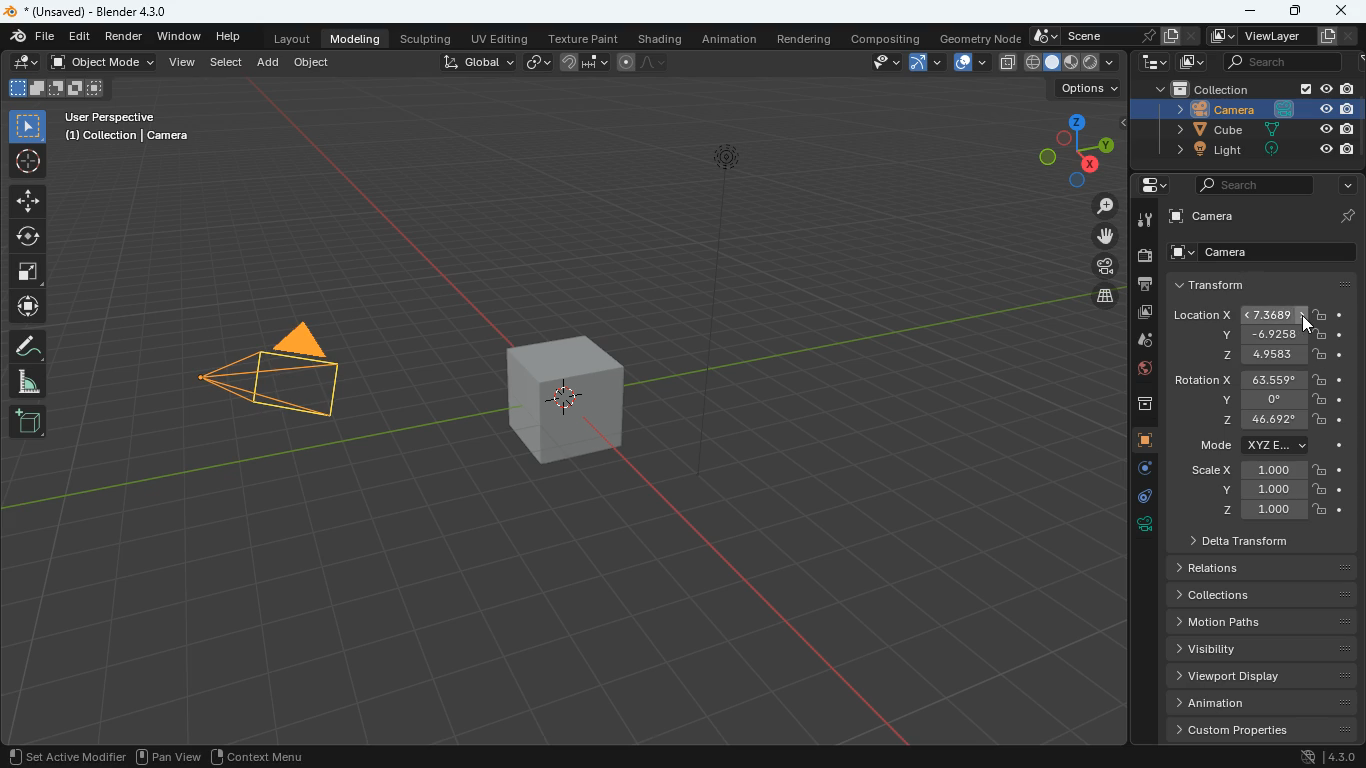  What do you see at coordinates (1252, 129) in the screenshot?
I see `cube` at bounding box center [1252, 129].